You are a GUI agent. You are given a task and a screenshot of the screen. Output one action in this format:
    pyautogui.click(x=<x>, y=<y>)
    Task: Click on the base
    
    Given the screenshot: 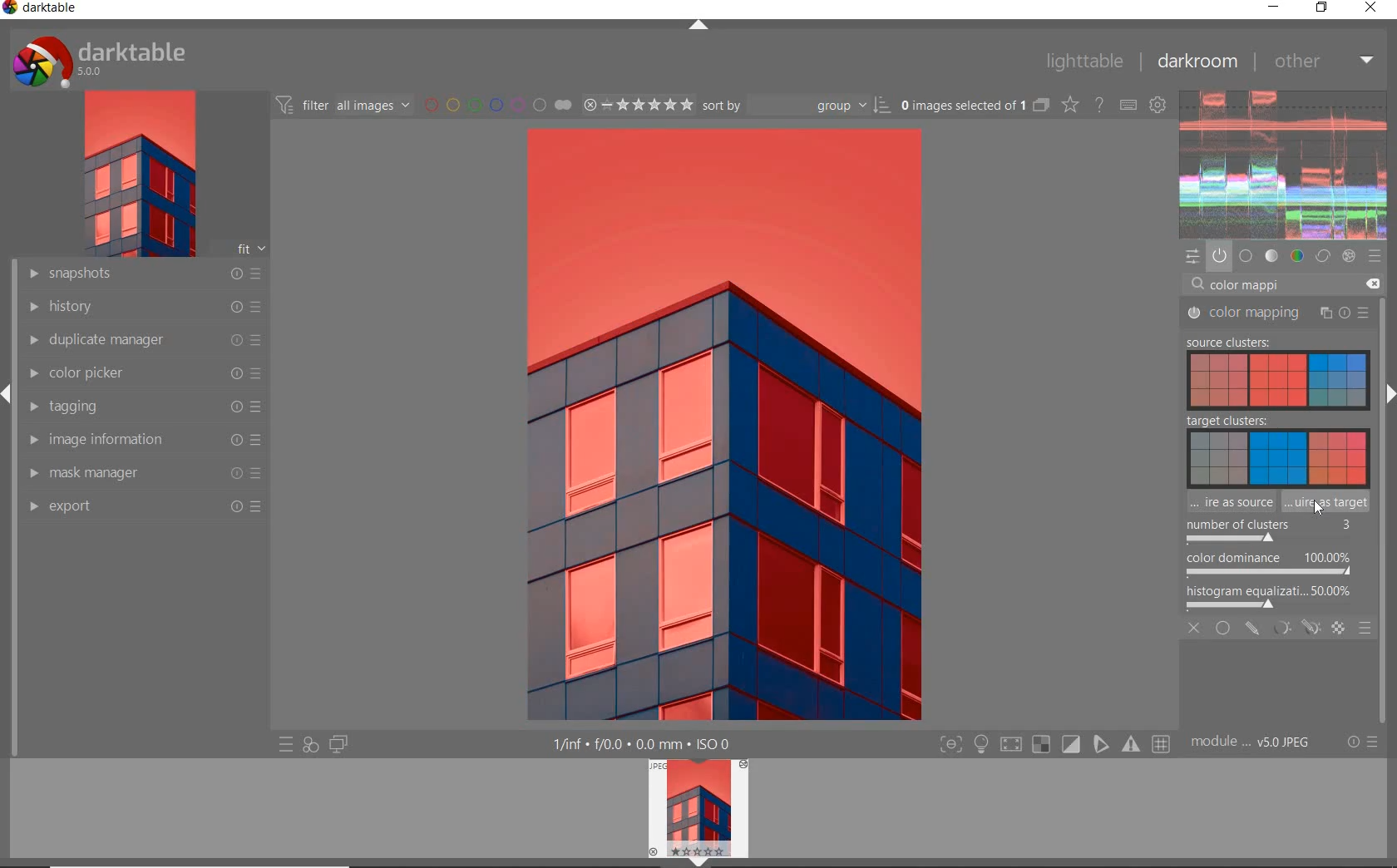 What is the action you would take?
    pyautogui.click(x=1246, y=257)
    